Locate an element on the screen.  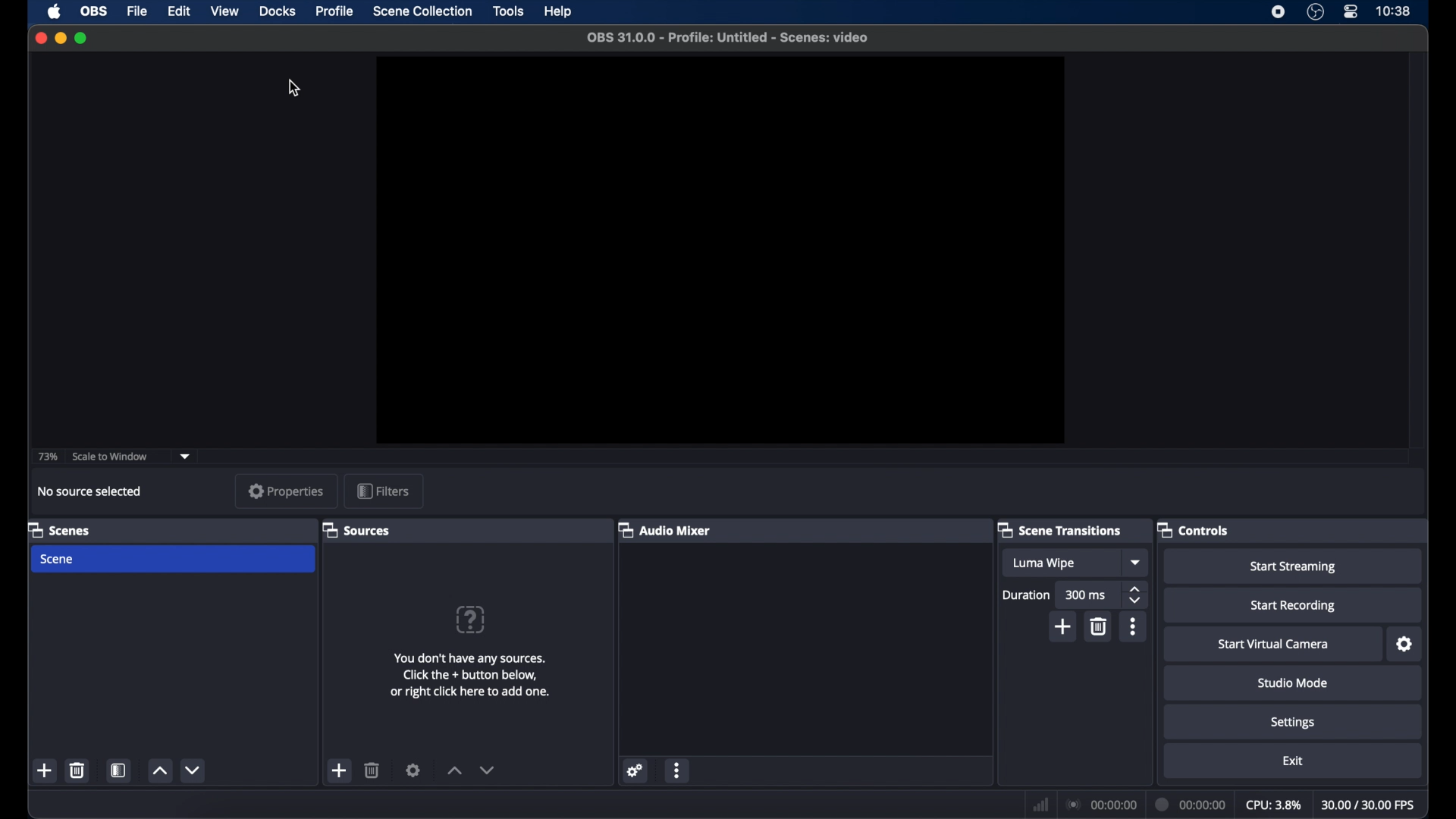
cpu: 3.8% is located at coordinates (1274, 805).